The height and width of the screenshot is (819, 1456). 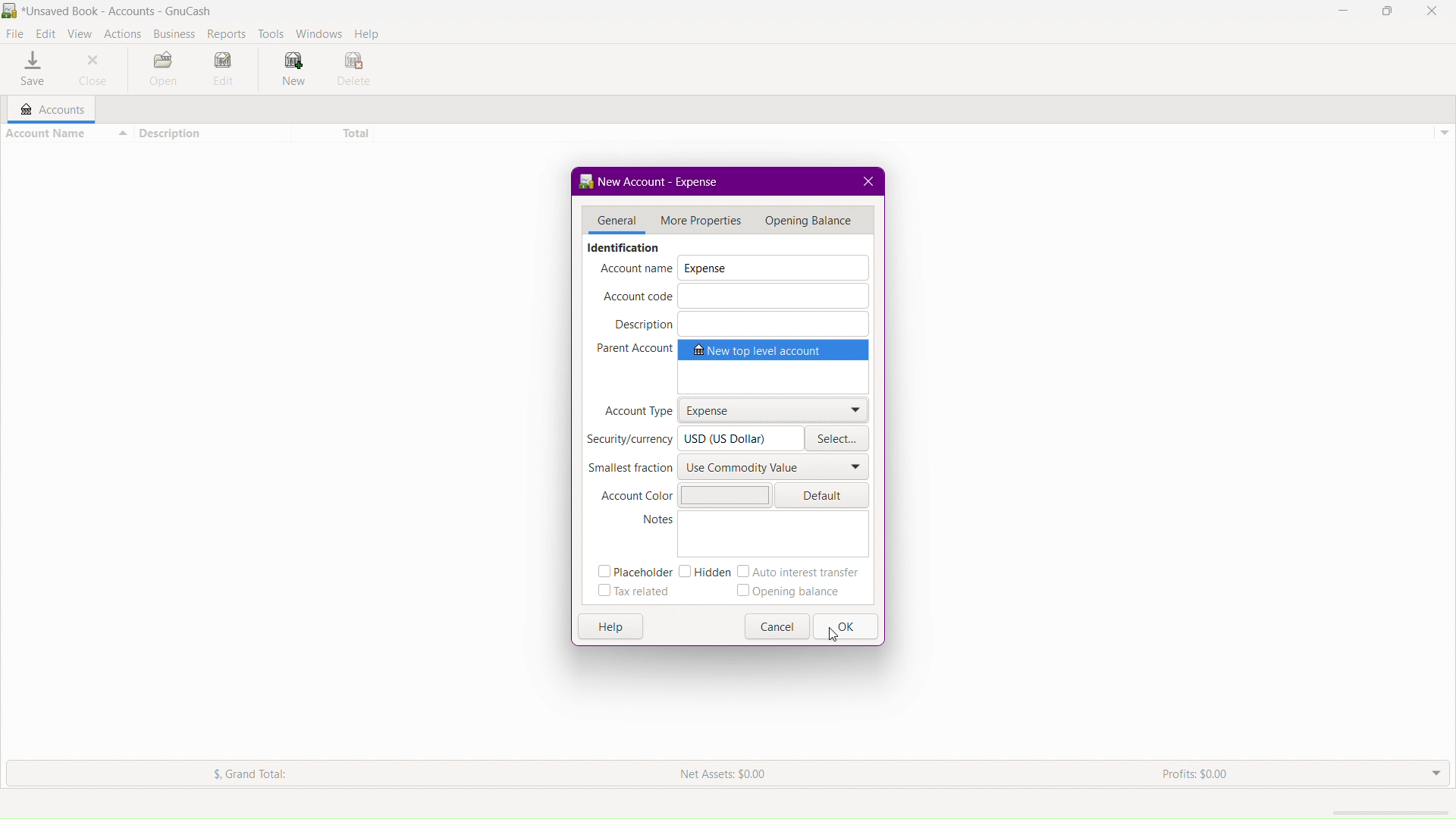 I want to click on Description, so click(x=738, y=323).